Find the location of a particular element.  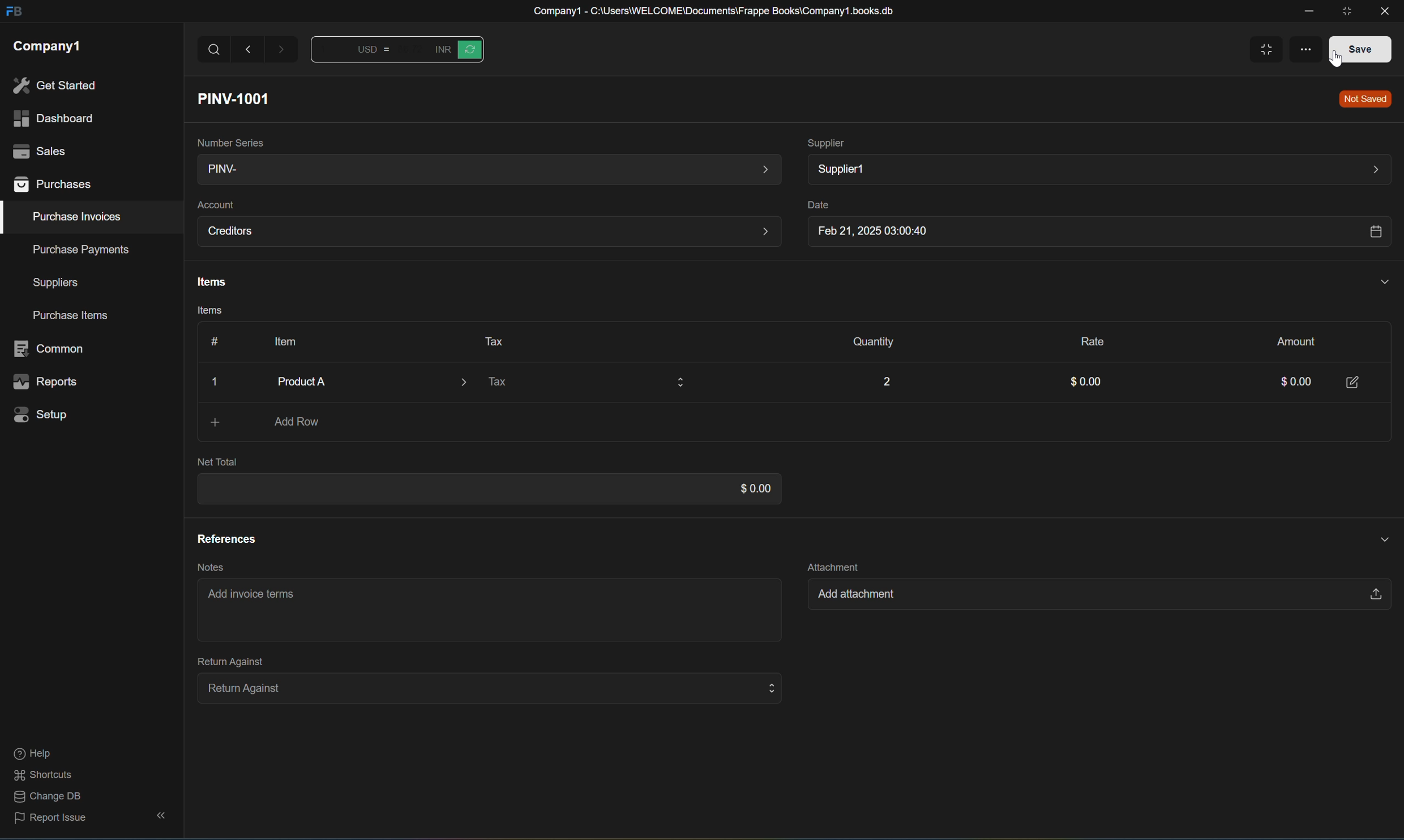

dashboard is located at coordinates (52, 119).